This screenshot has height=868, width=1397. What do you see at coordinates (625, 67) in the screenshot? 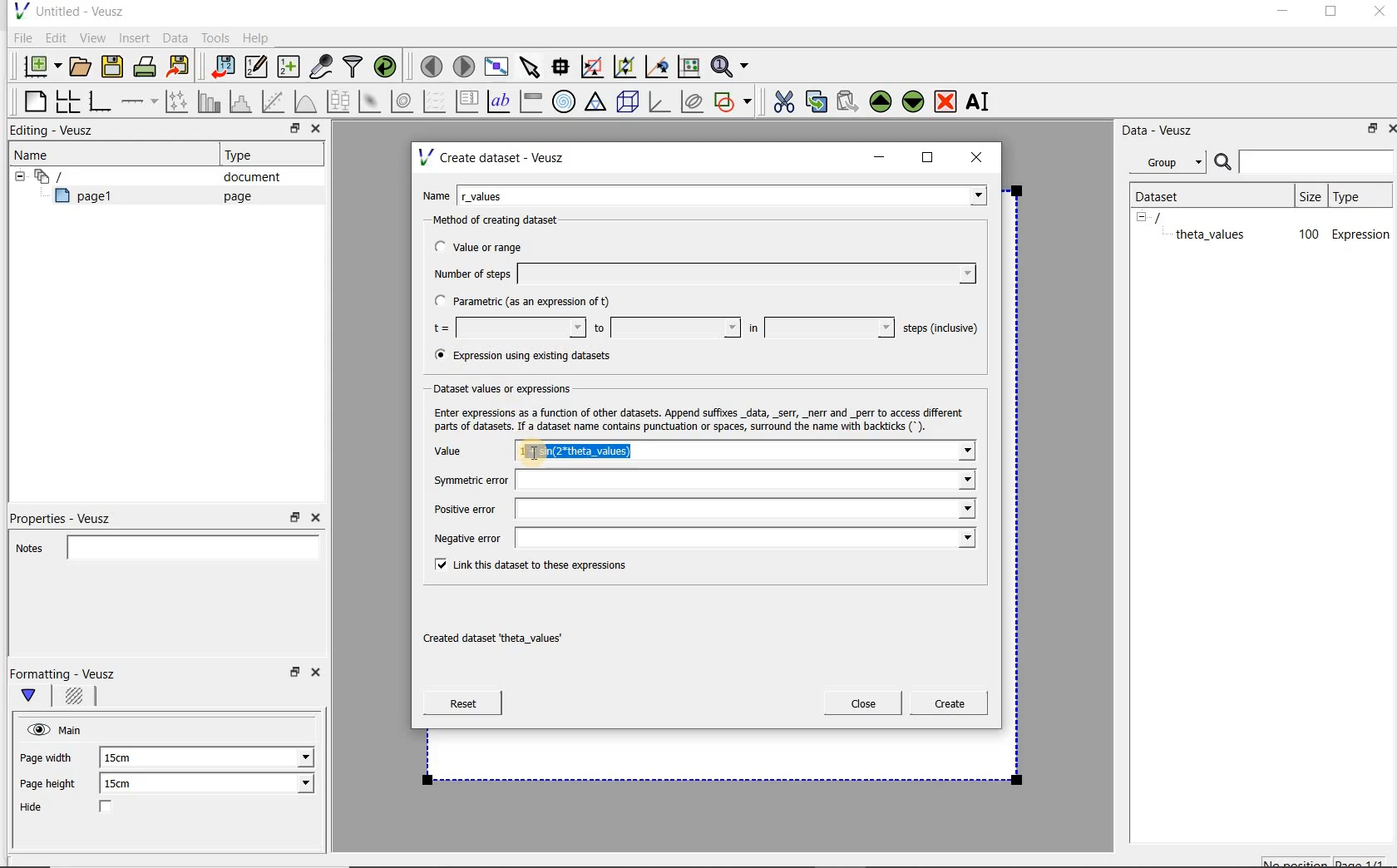
I see `click to zoom out of graph axes` at bounding box center [625, 67].